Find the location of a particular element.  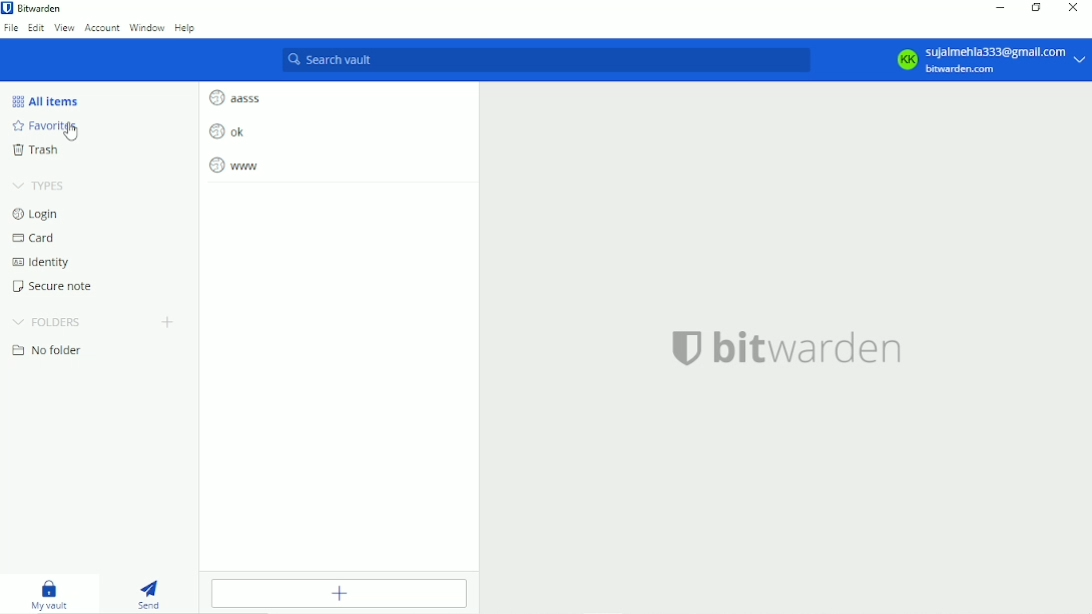

Account is located at coordinates (102, 28).